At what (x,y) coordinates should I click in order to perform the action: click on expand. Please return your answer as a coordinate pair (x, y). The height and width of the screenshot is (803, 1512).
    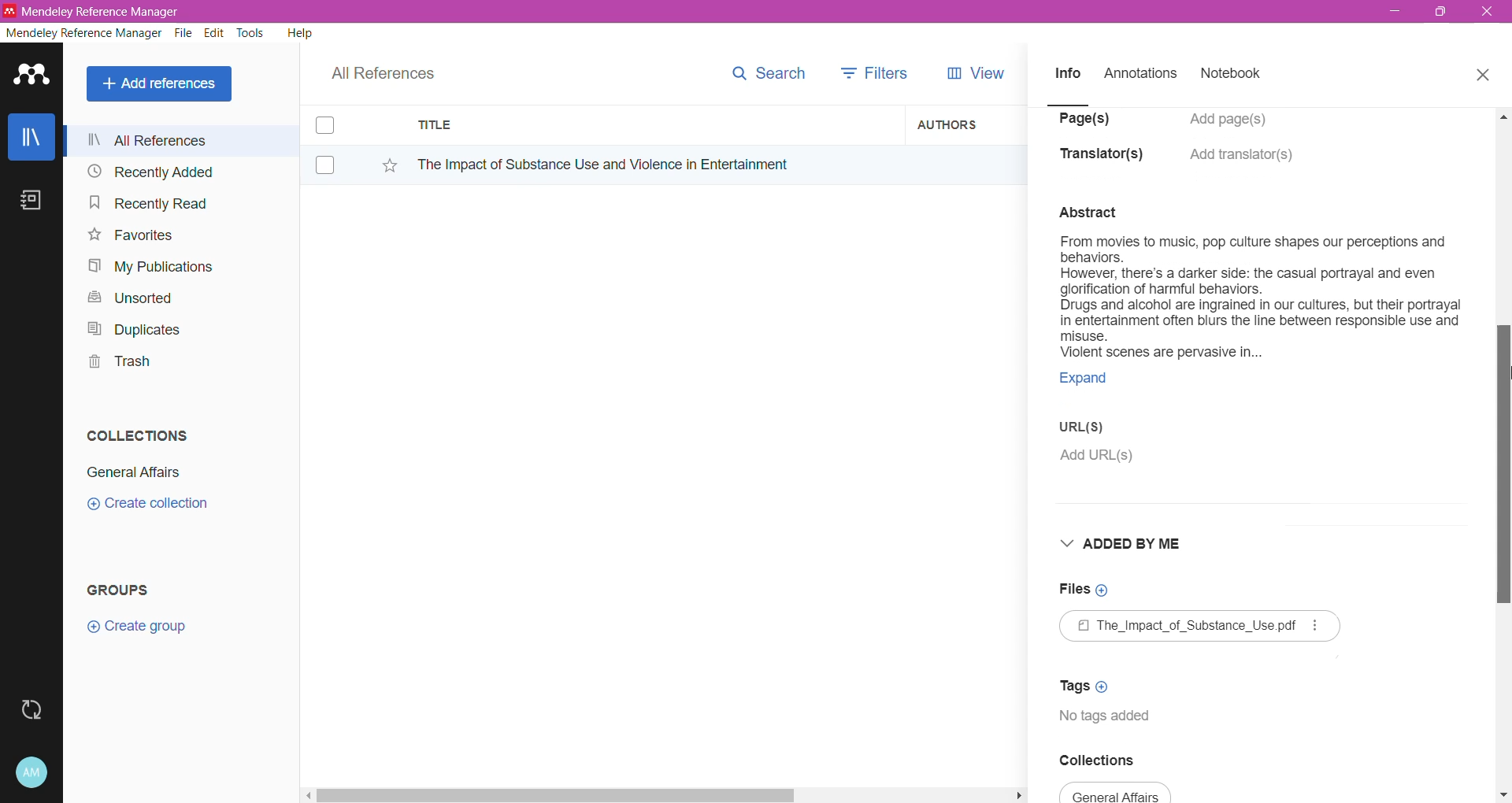
    Looking at the image, I should click on (1102, 379).